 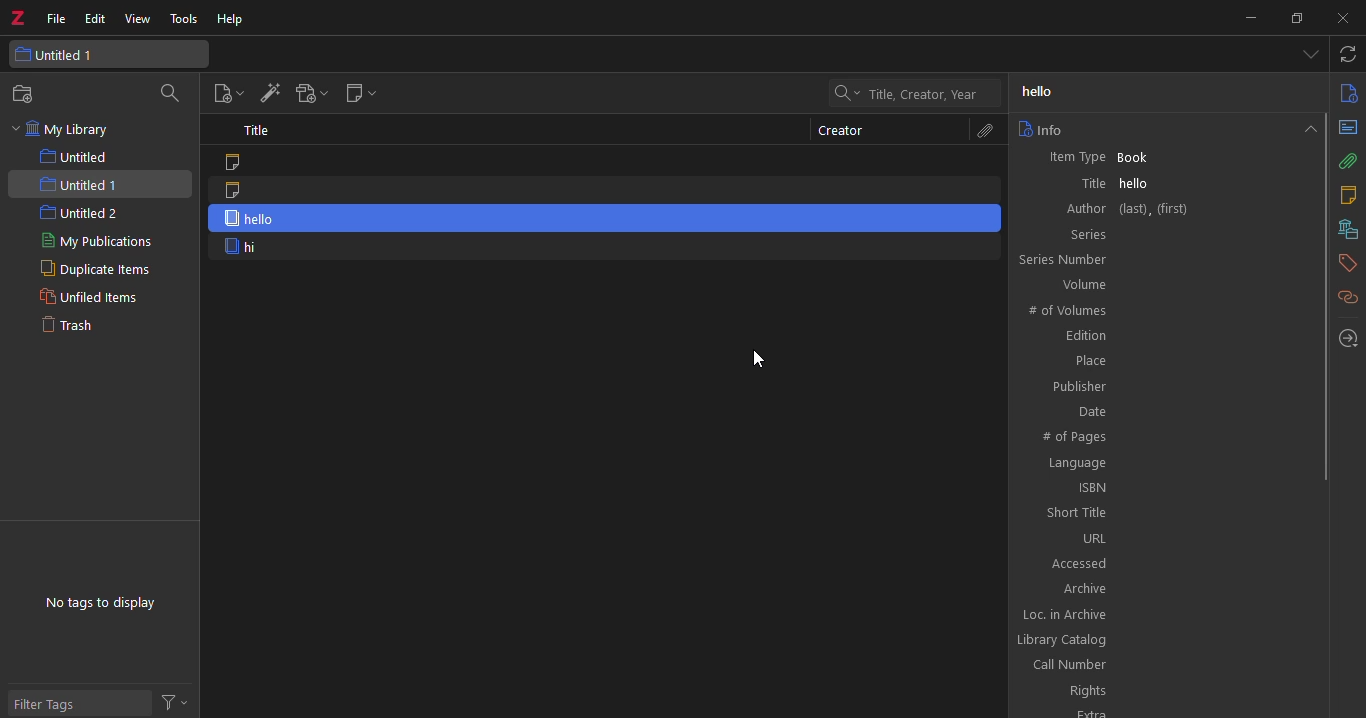 What do you see at coordinates (1348, 127) in the screenshot?
I see `abstract` at bounding box center [1348, 127].